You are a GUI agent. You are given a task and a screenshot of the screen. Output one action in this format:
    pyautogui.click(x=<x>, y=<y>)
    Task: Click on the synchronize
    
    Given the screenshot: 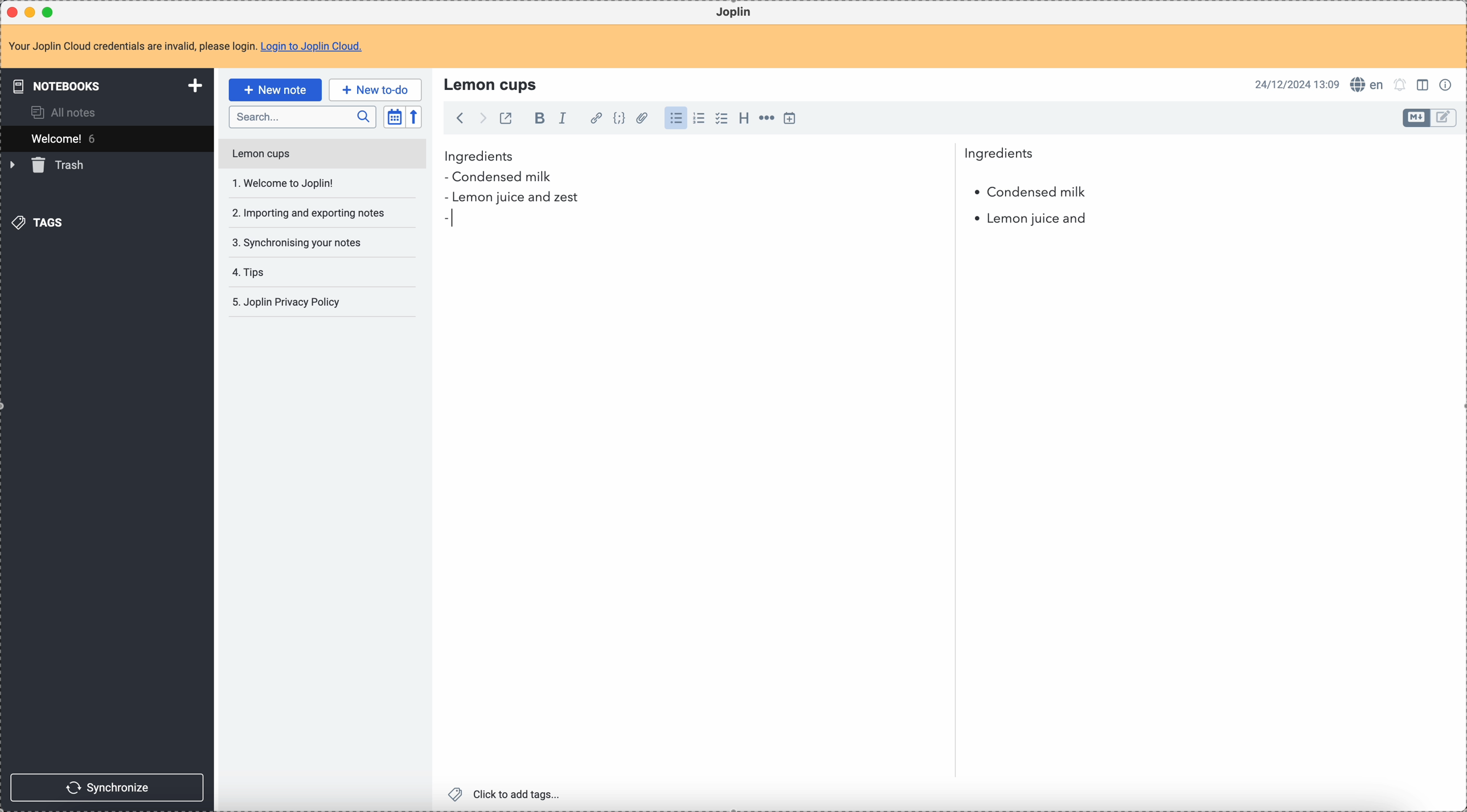 What is the action you would take?
    pyautogui.click(x=108, y=788)
    